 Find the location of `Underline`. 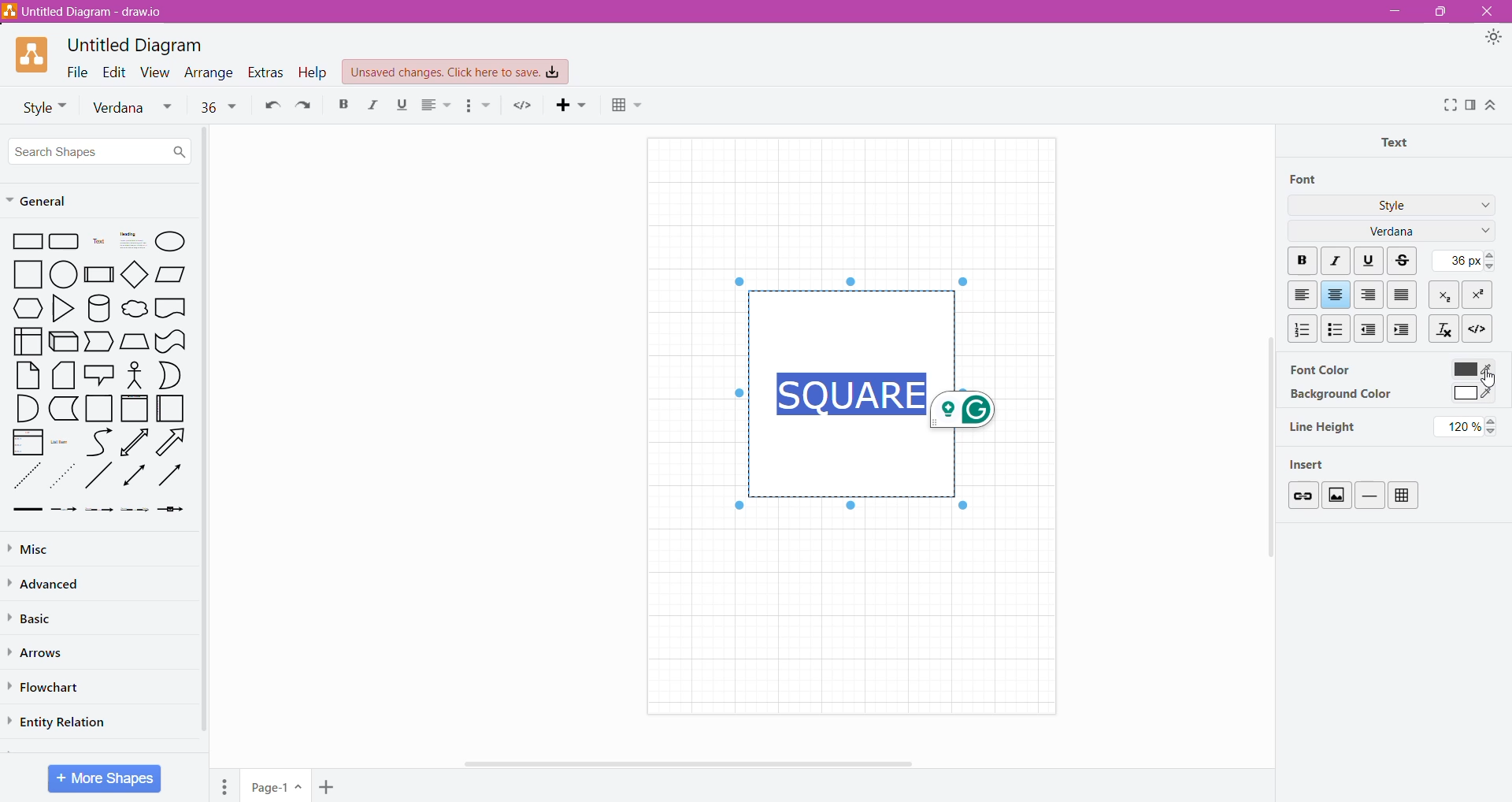

Underline is located at coordinates (1369, 259).